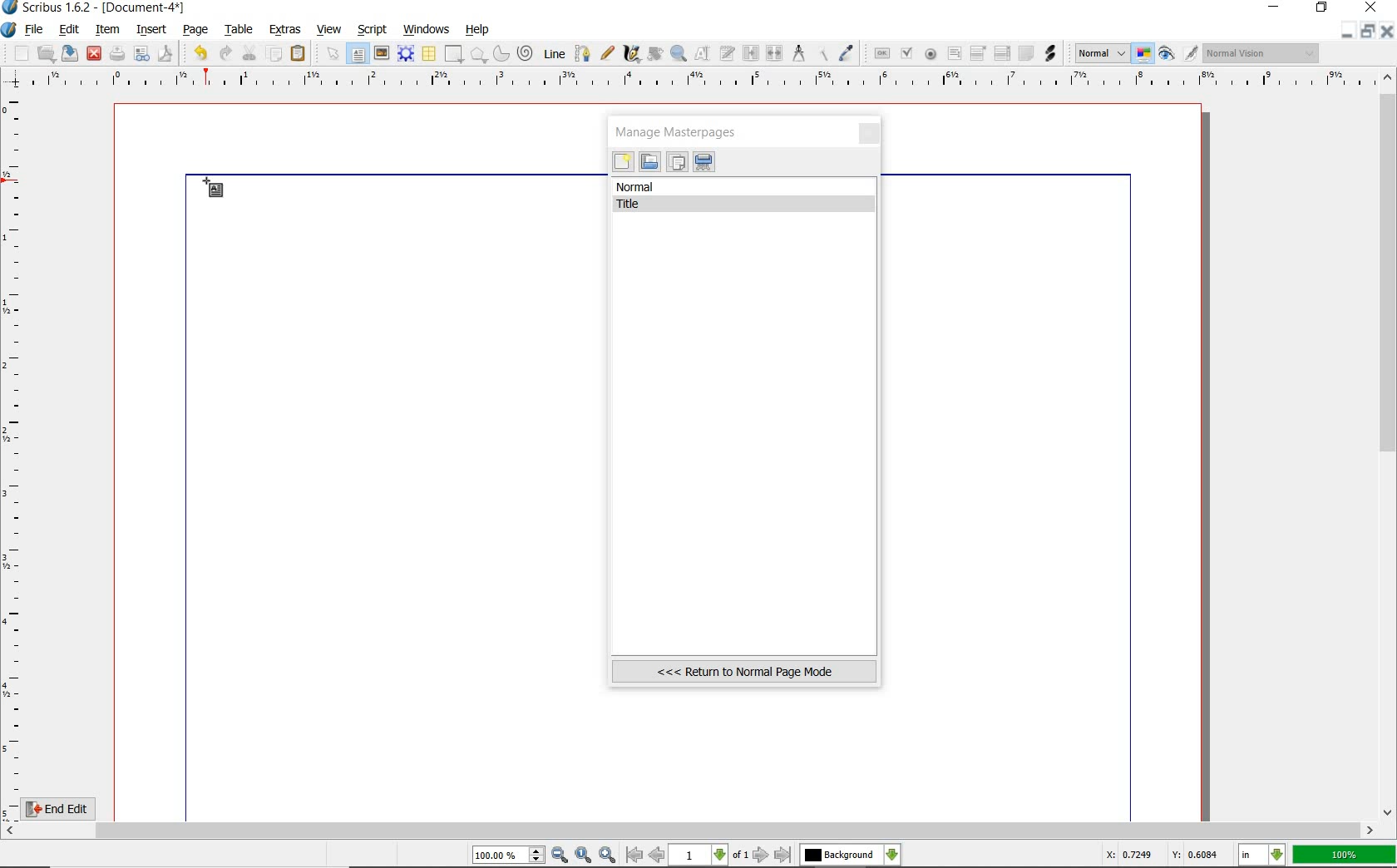 The width and height of the screenshot is (1397, 868). I want to click on Scribus 1.6.2 - [Document-4*], so click(95, 8).